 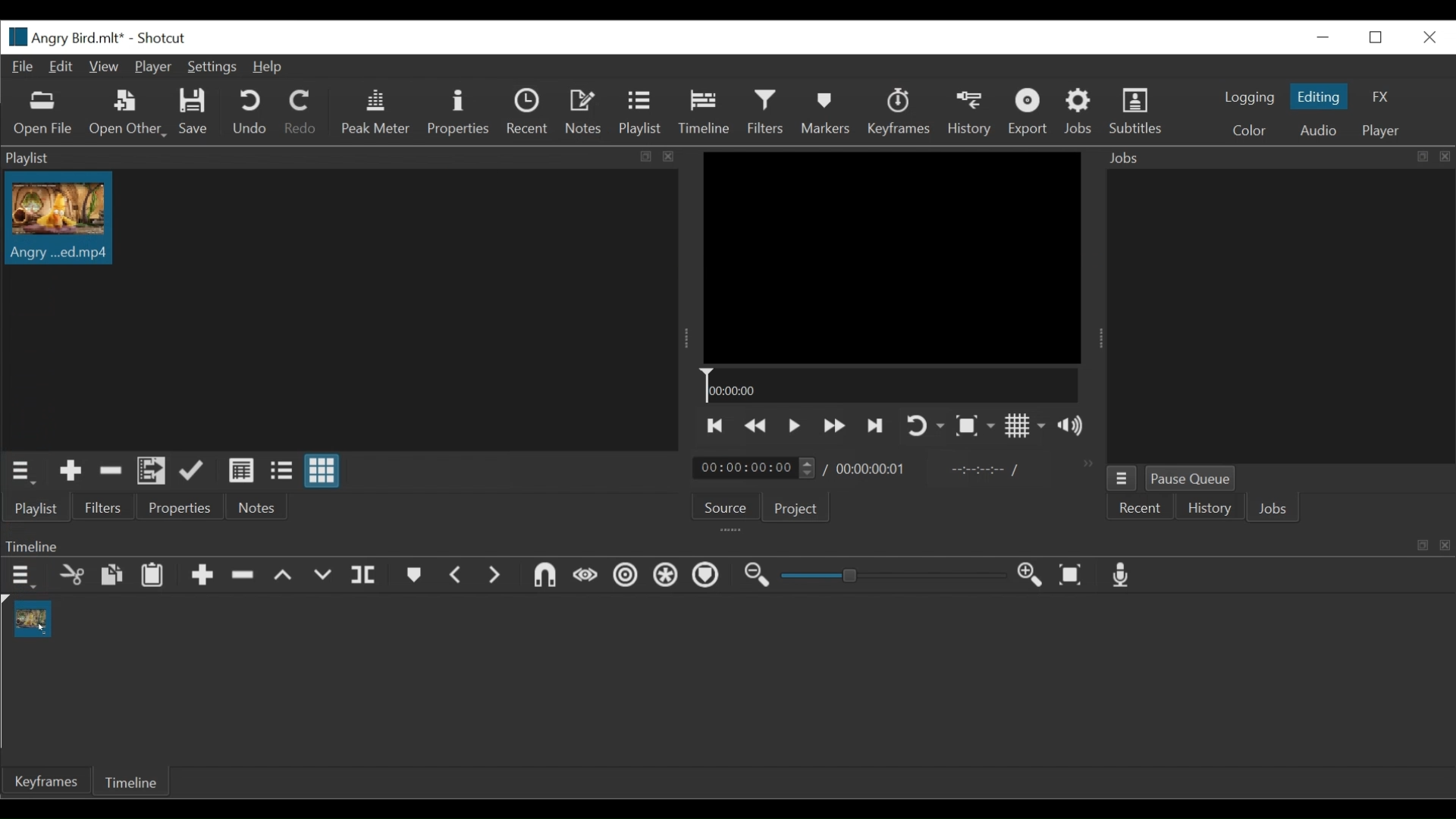 I want to click on Filters, so click(x=104, y=507).